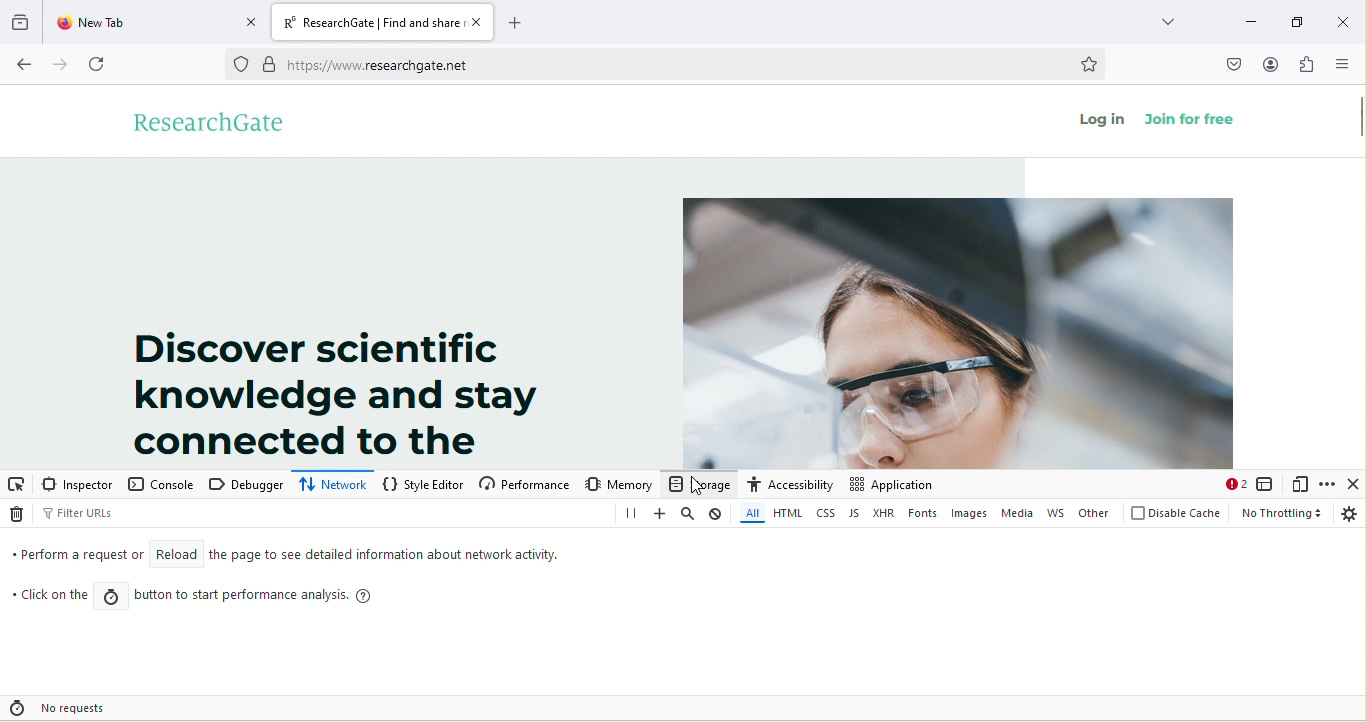 The width and height of the screenshot is (1366, 722). What do you see at coordinates (660, 515) in the screenshot?
I see `add` at bounding box center [660, 515].